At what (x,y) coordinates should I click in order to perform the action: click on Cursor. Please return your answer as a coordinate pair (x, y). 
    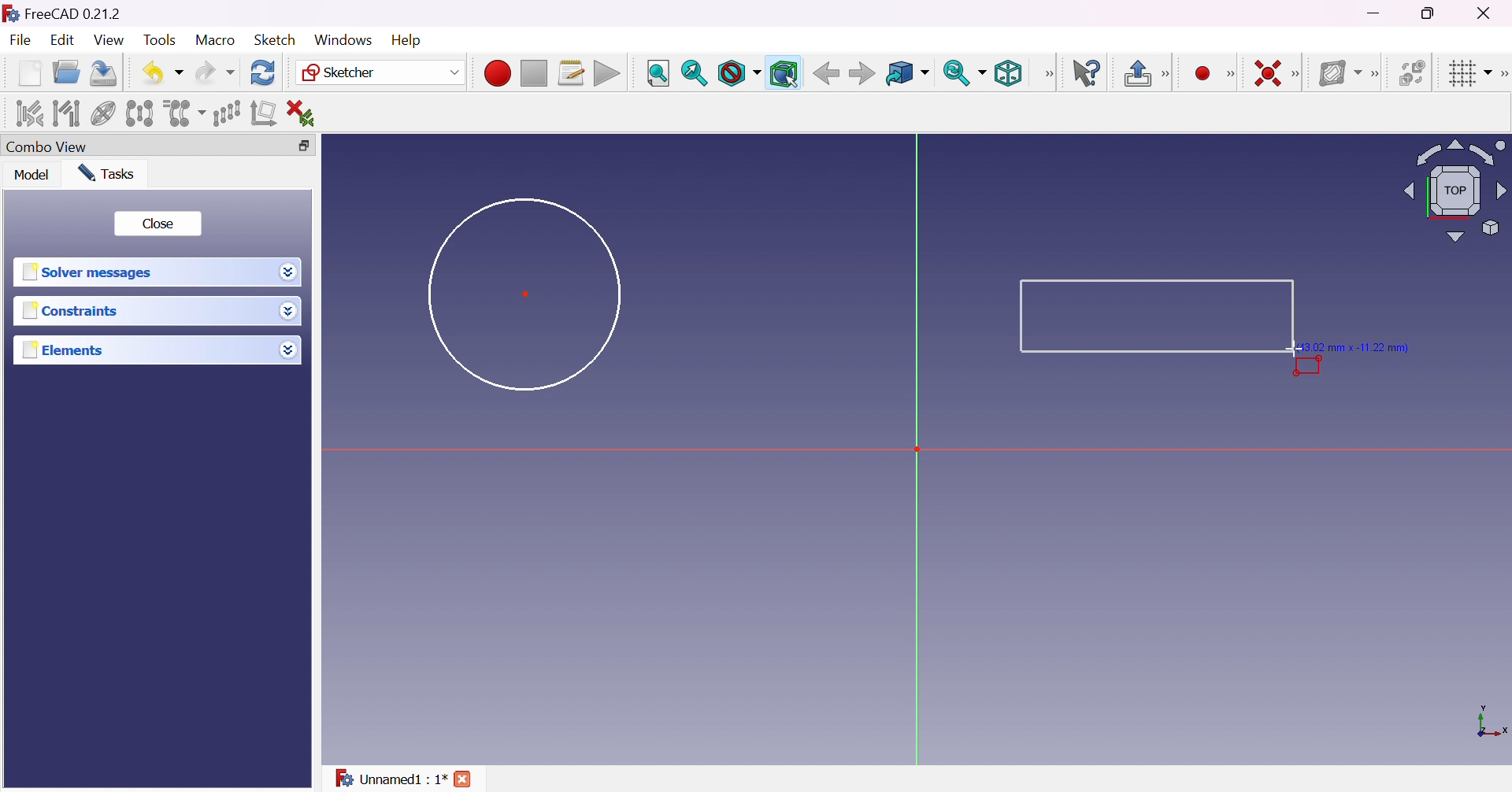
    Looking at the image, I should click on (1303, 350).